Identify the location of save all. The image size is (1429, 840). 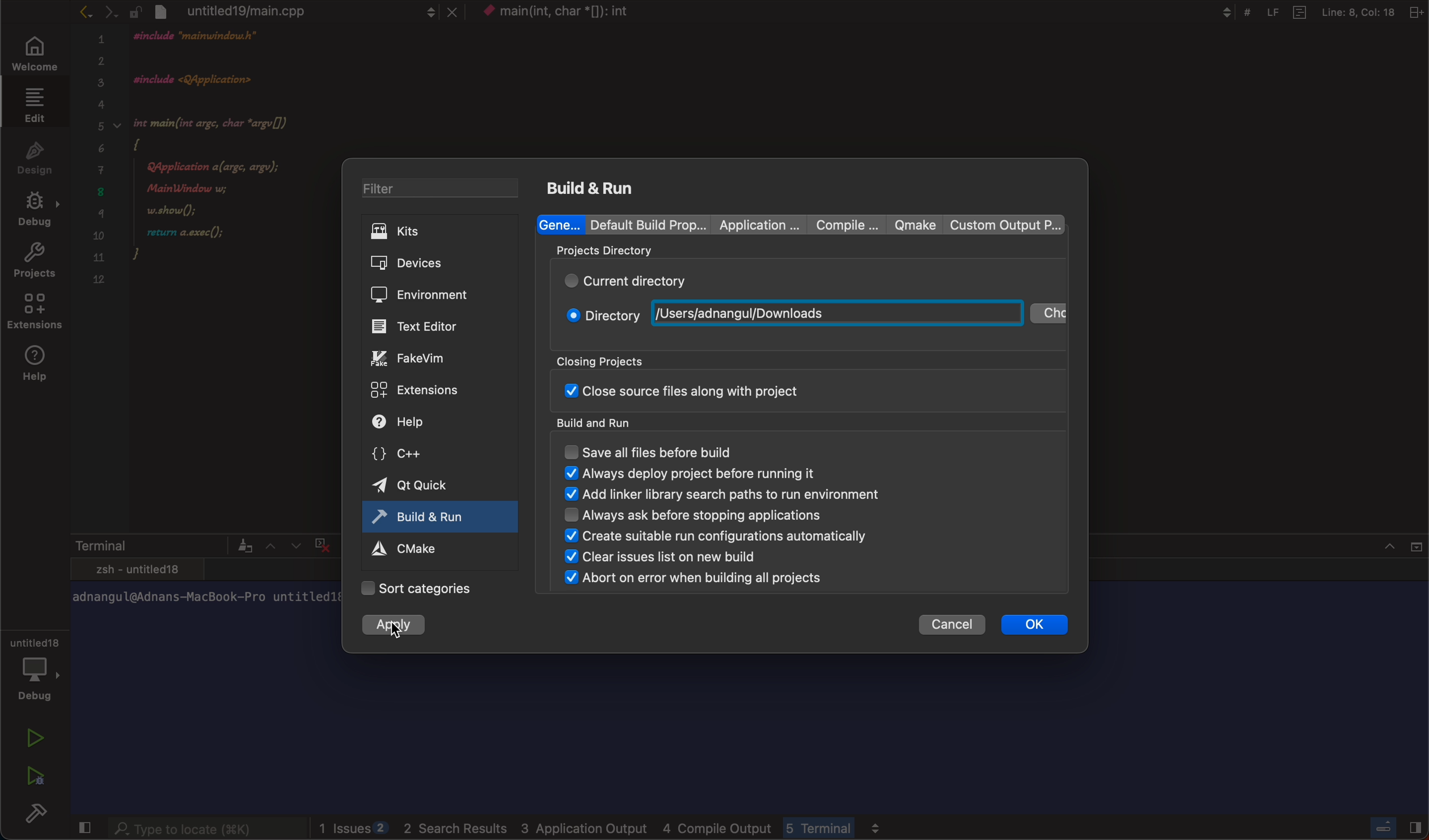
(649, 449).